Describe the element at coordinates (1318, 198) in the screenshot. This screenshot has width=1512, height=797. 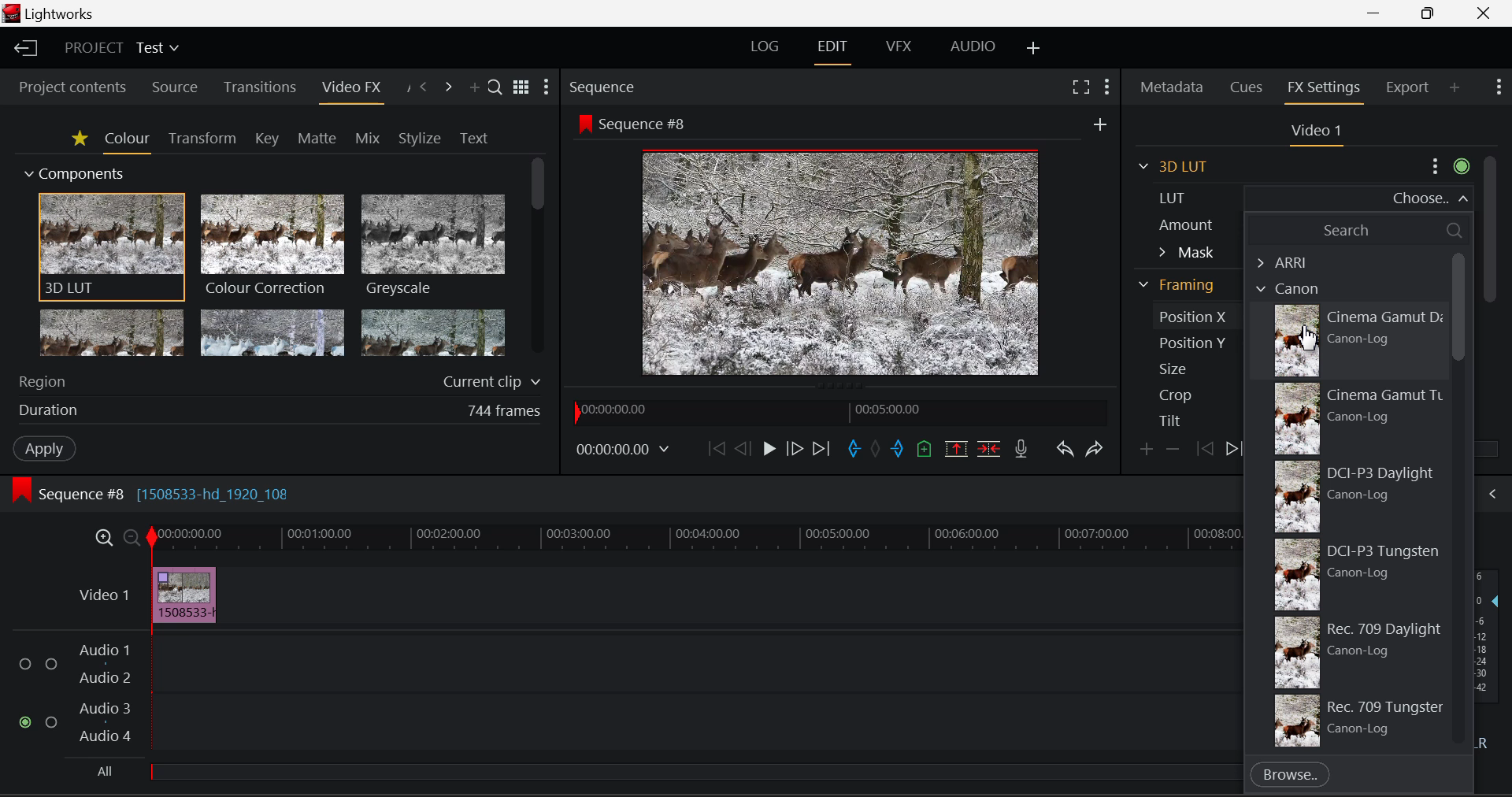
I see `LUT` at that location.